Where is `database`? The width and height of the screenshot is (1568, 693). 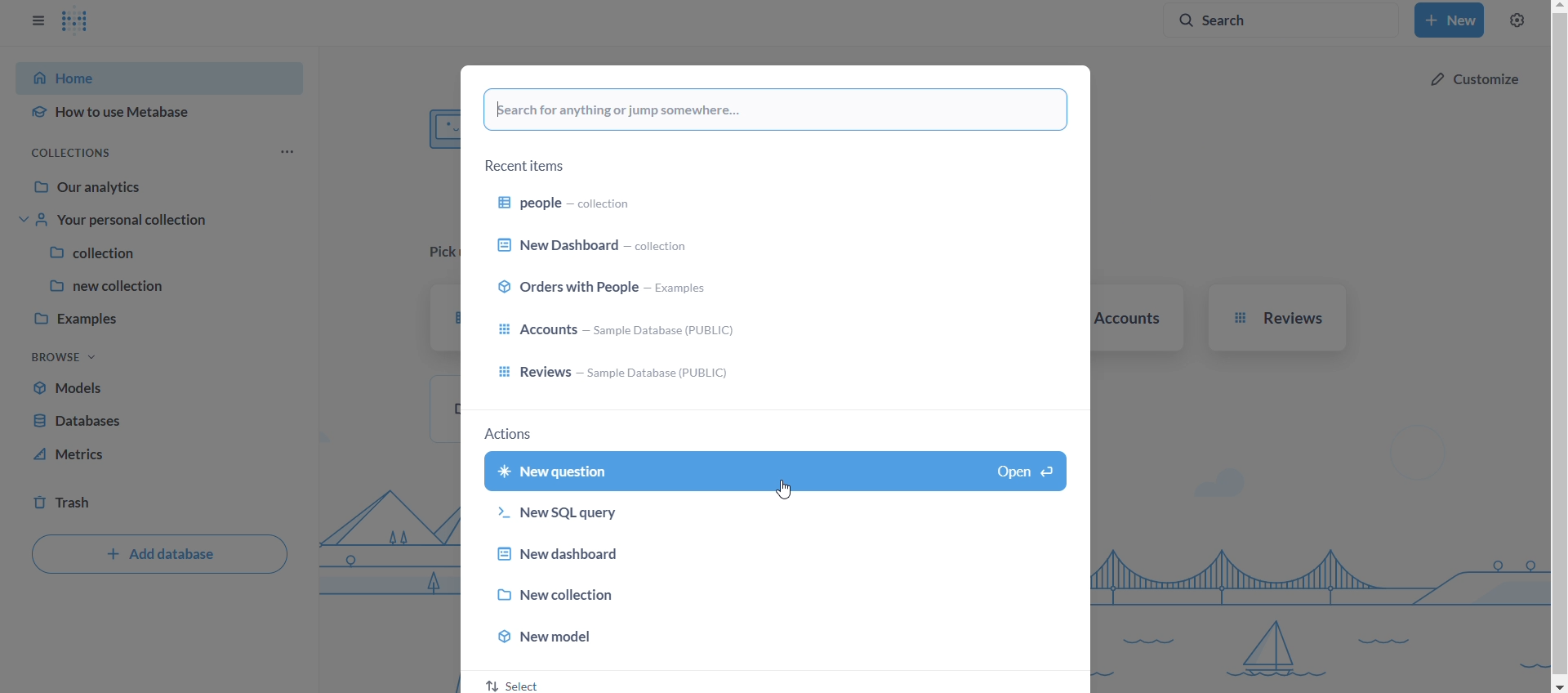
database is located at coordinates (162, 420).